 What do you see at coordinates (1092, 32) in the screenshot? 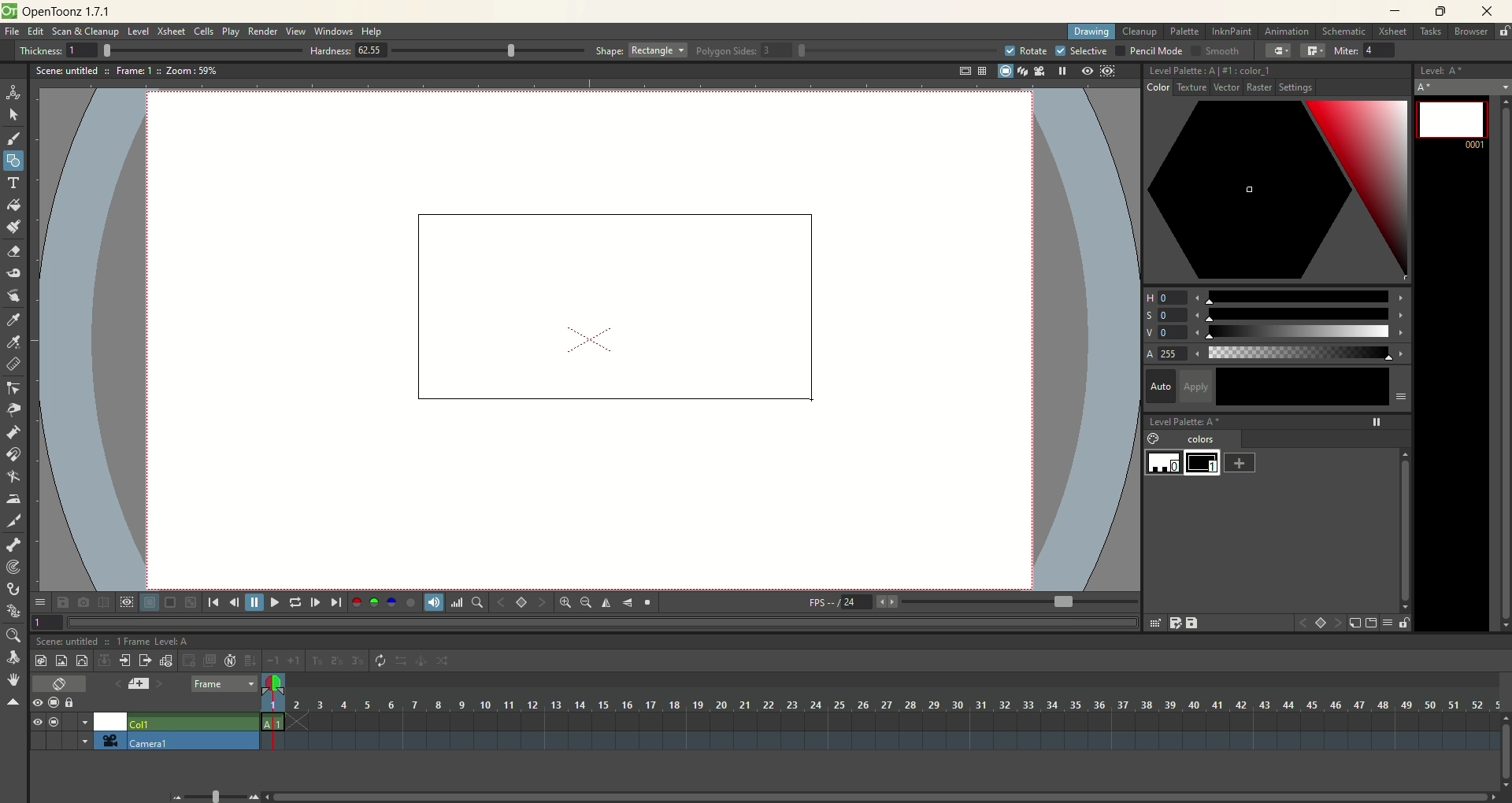
I see `drawing` at bounding box center [1092, 32].